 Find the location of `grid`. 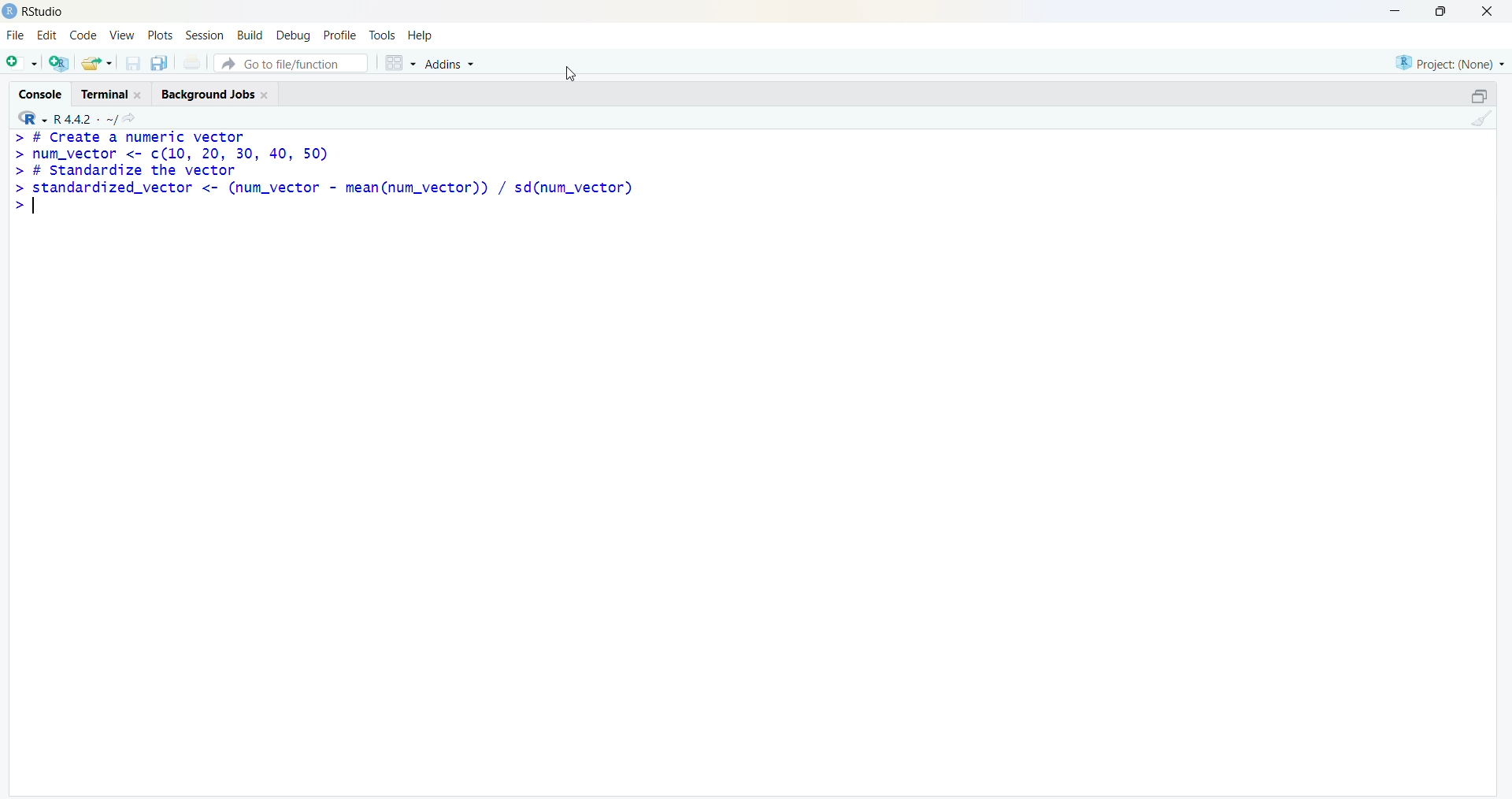

grid is located at coordinates (399, 63).